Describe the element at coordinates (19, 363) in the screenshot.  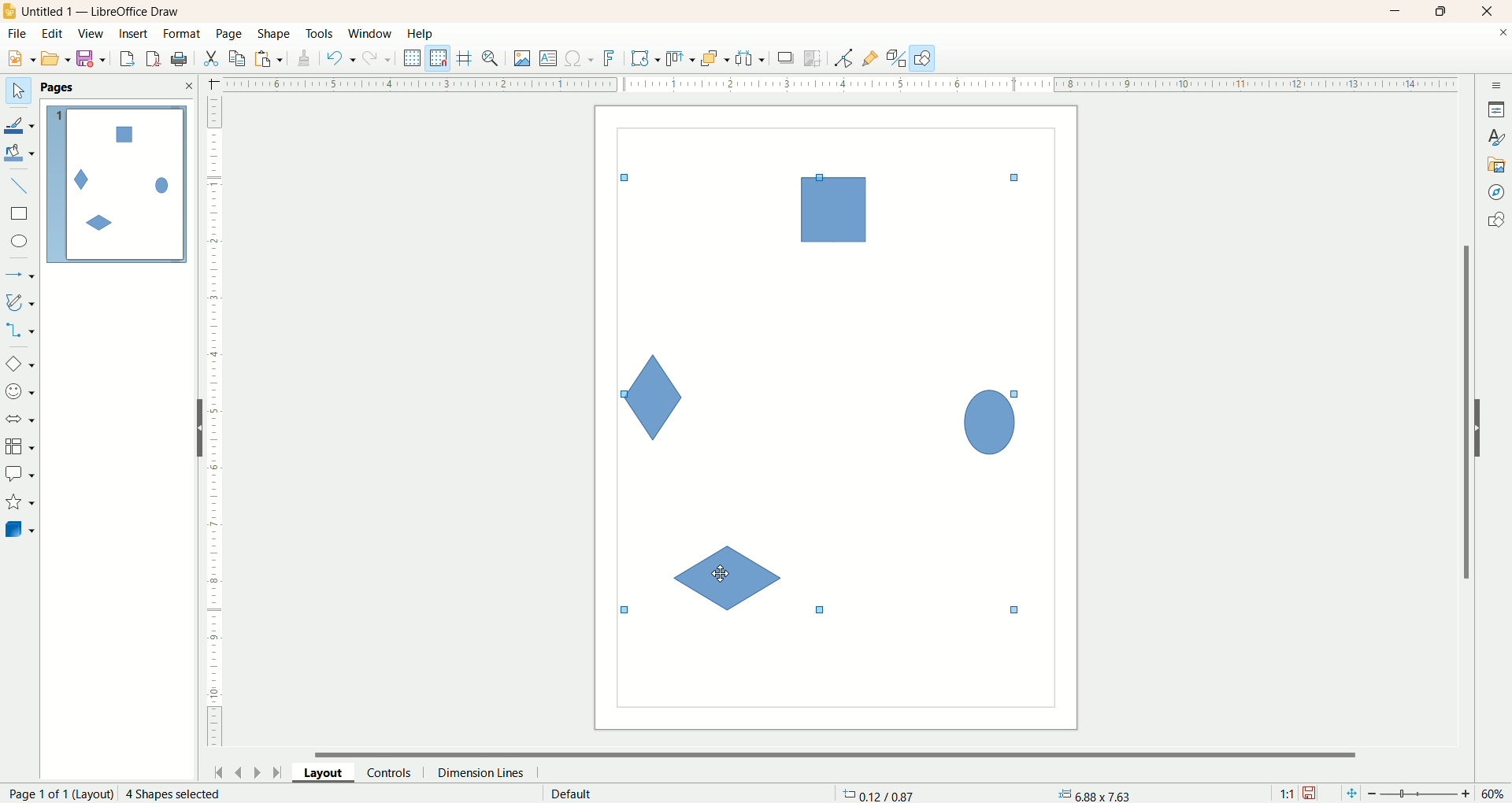
I see `basic shape` at that location.